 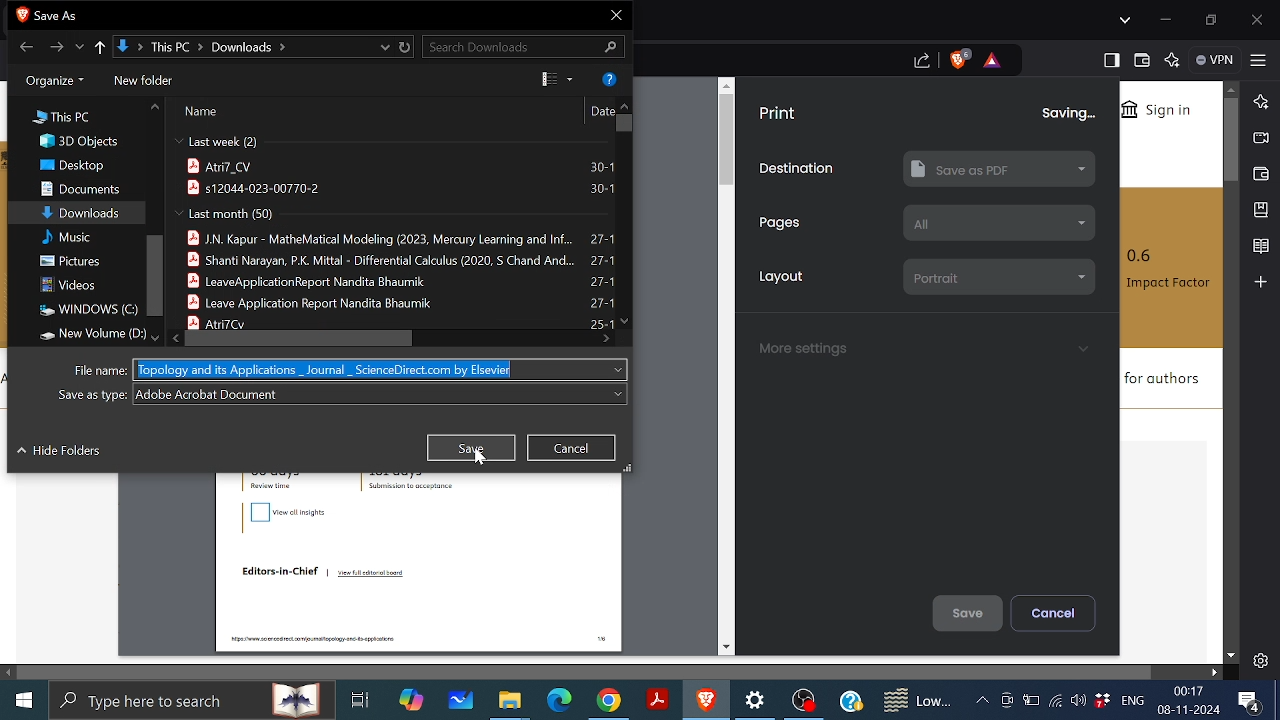 What do you see at coordinates (139, 79) in the screenshot?
I see `new folder` at bounding box center [139, 79].